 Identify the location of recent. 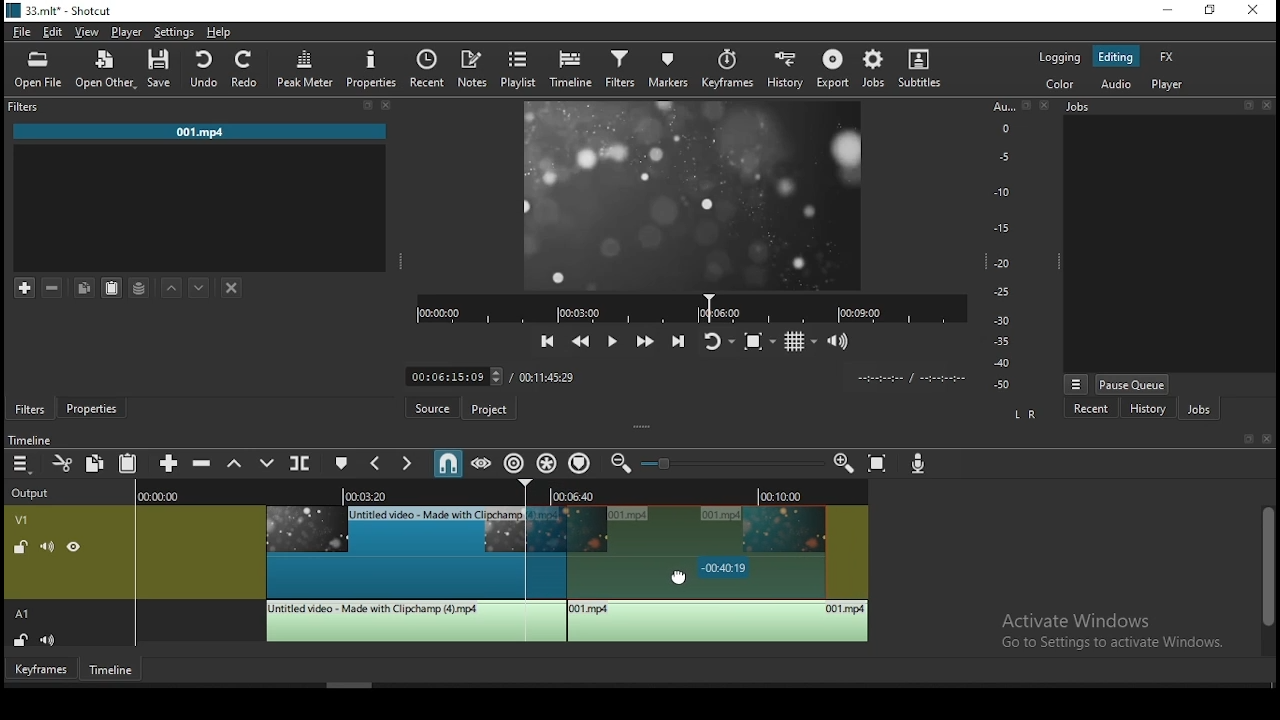
(1091, 409).